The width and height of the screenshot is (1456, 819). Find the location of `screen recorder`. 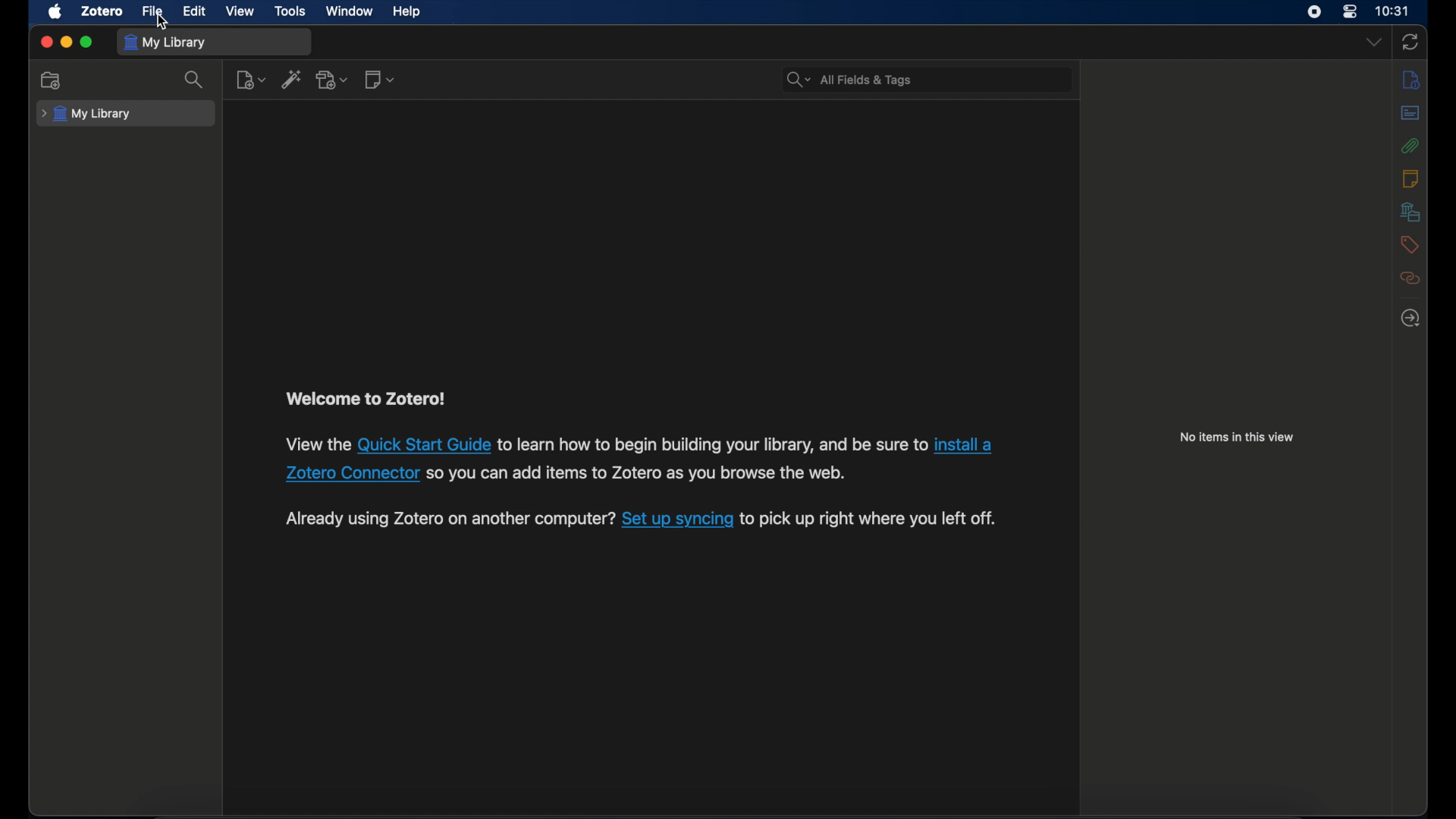

screen recorder is located at coordinates (1314, 11).